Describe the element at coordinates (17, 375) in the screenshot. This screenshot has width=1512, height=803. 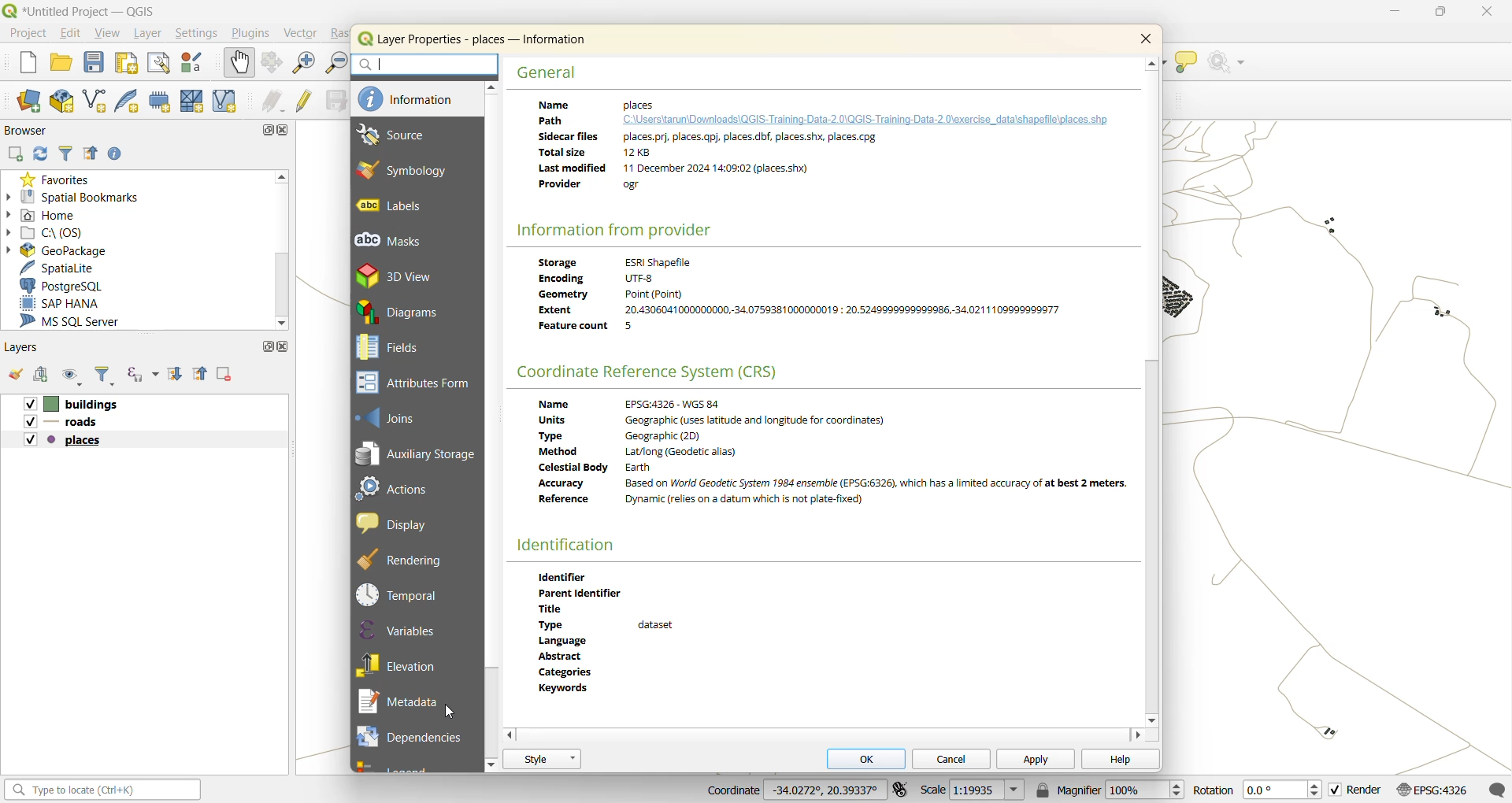
I see `open` at that location.